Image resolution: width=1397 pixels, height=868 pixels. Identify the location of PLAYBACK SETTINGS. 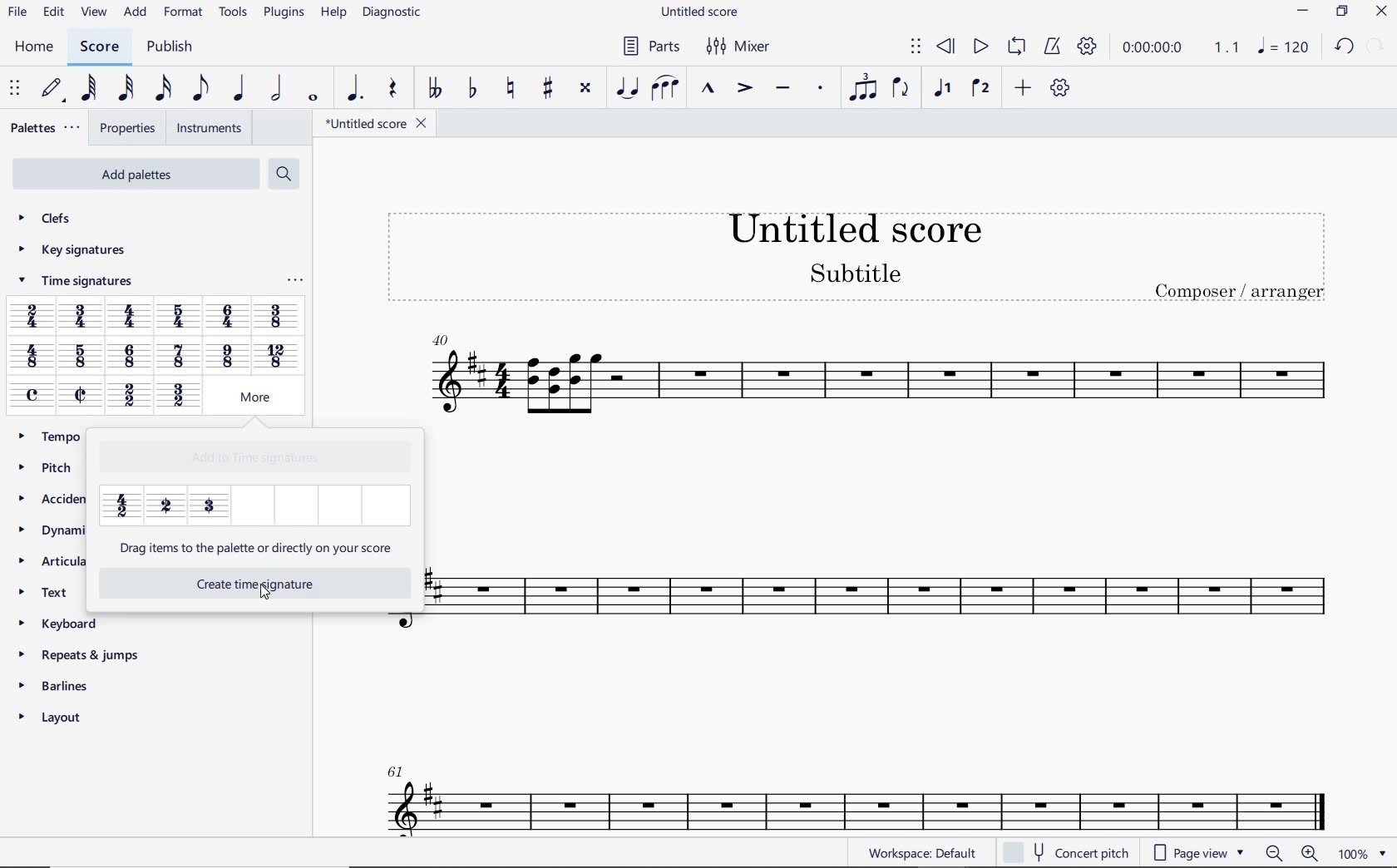
(1088, 49).